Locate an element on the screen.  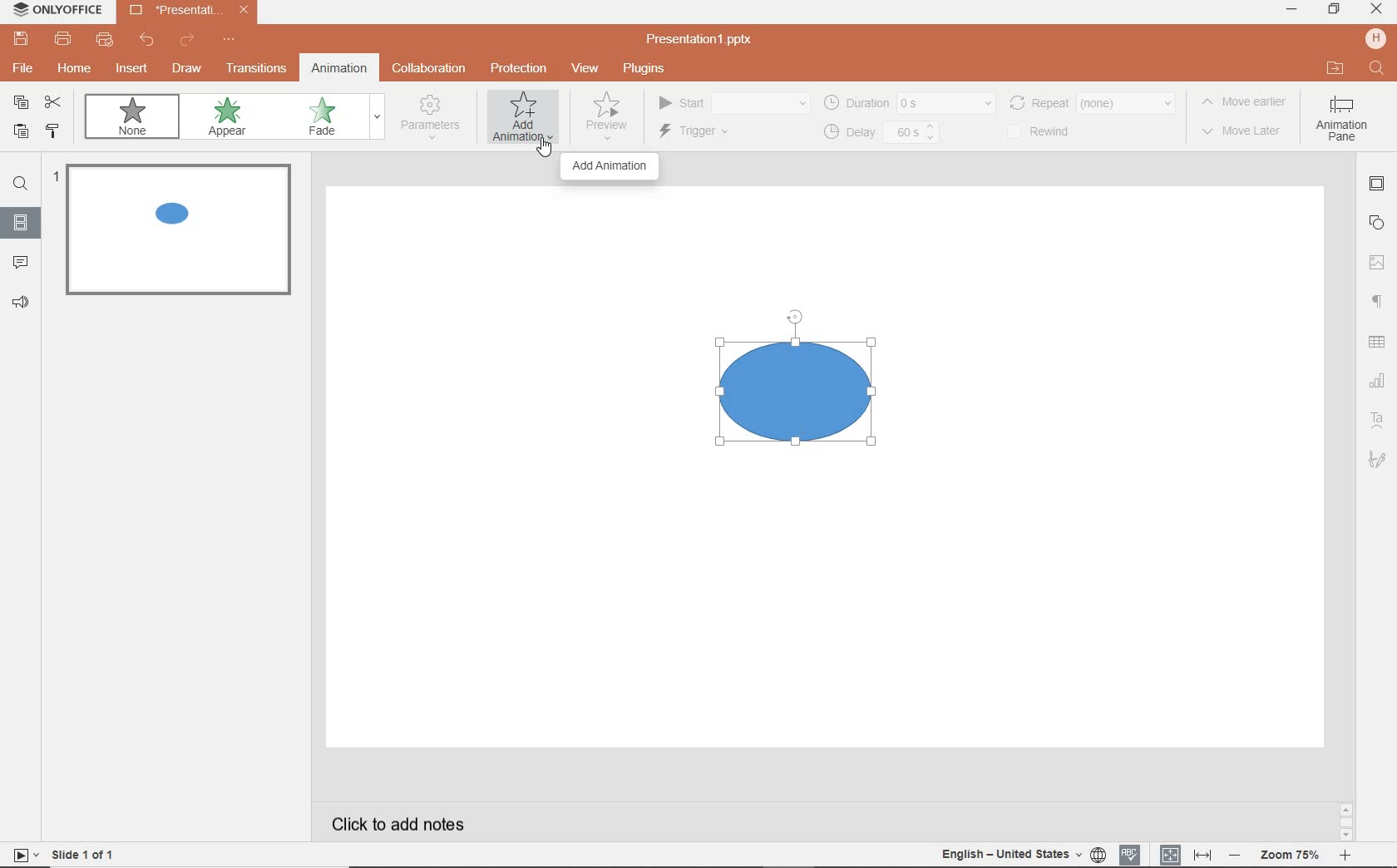
system name is located at coordinates (57, 10).